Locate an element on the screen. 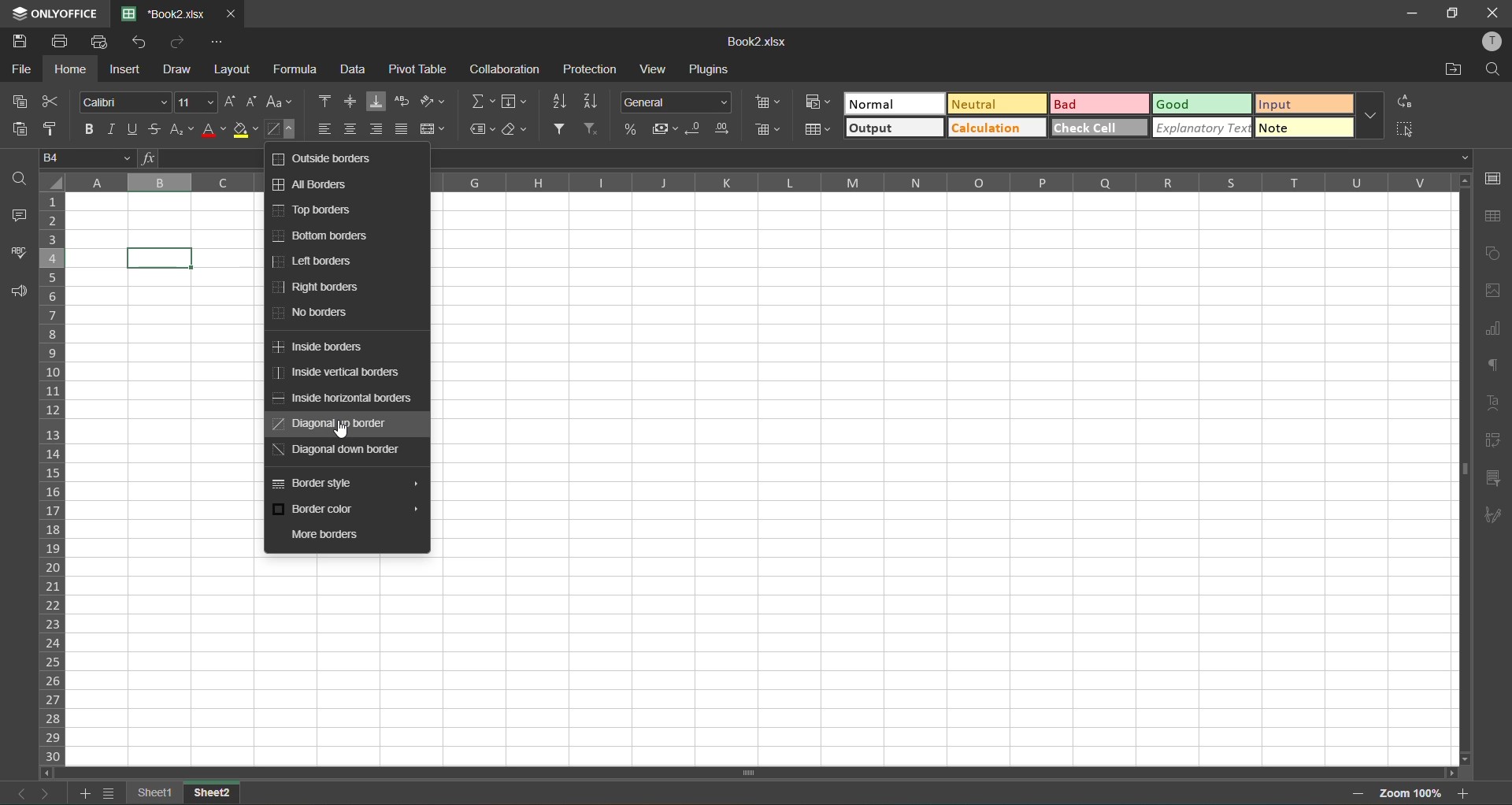  only office is located at coordinates (54, 12).